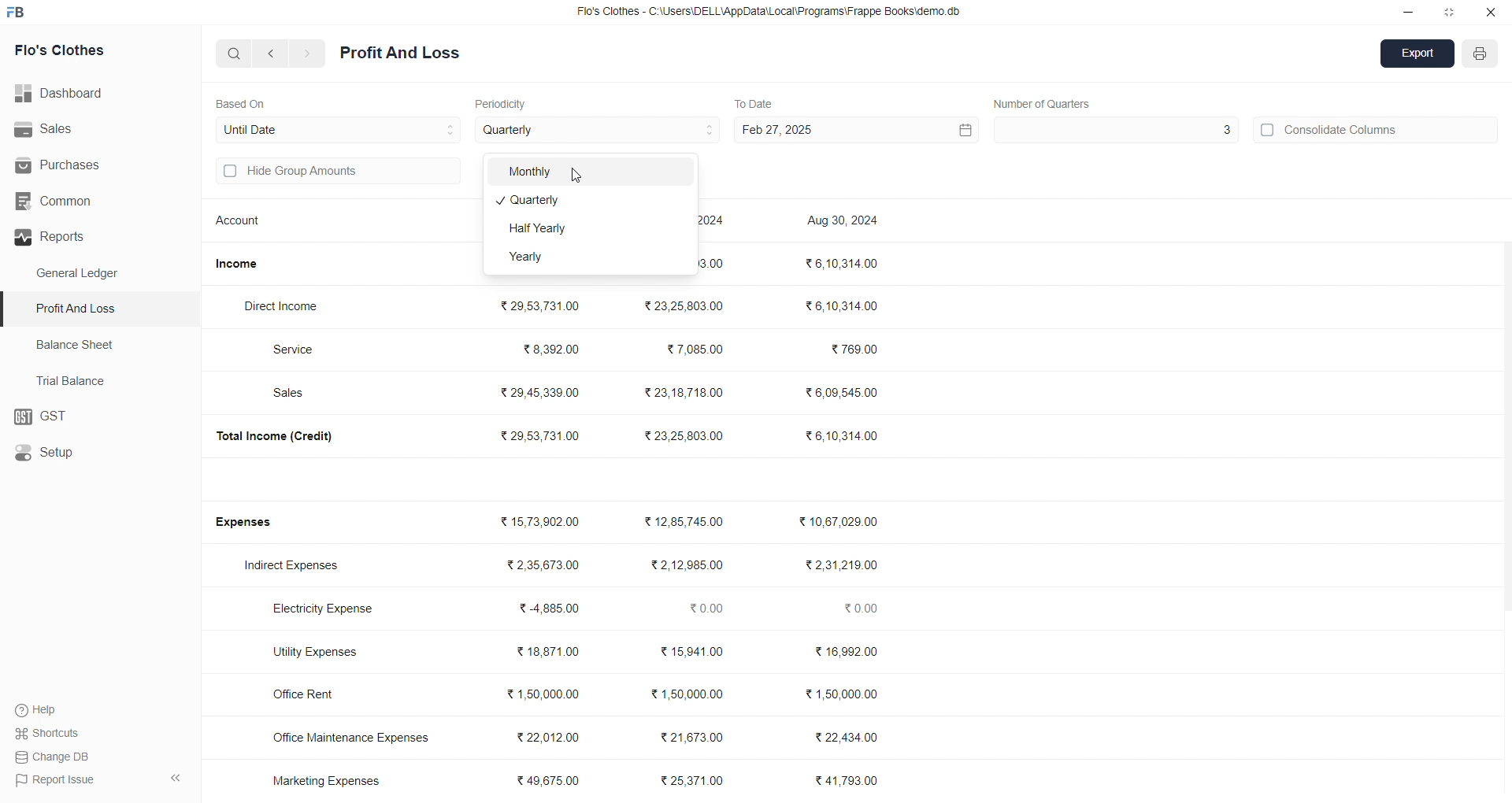 This screenshot has width=1512, height=803. What do you see at coordinates (76, 165) in the screenshot?
I see `Purchases` at bounding box center [76, 165].